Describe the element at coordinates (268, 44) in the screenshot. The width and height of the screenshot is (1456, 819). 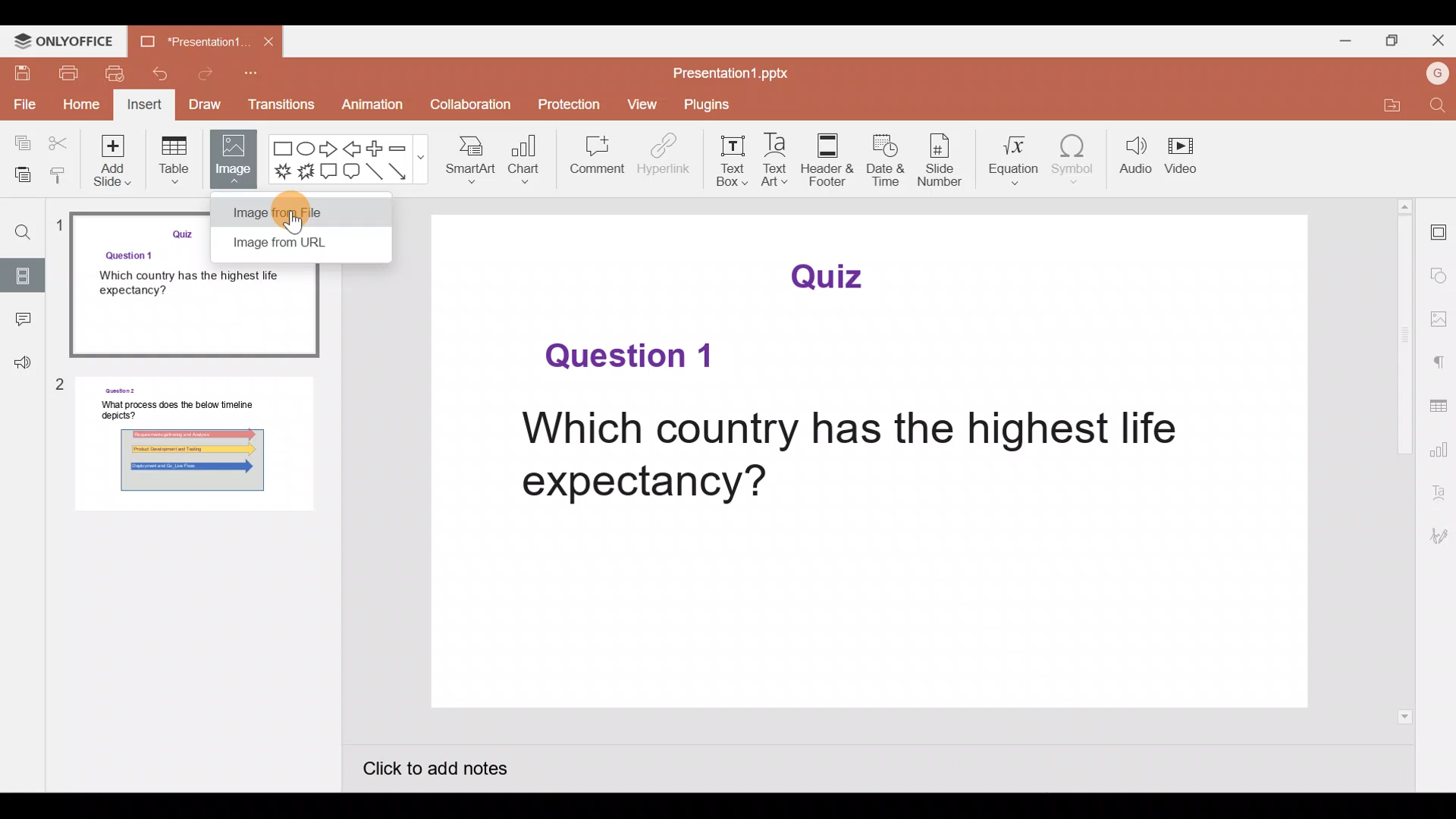
I see `Close document` at that location.